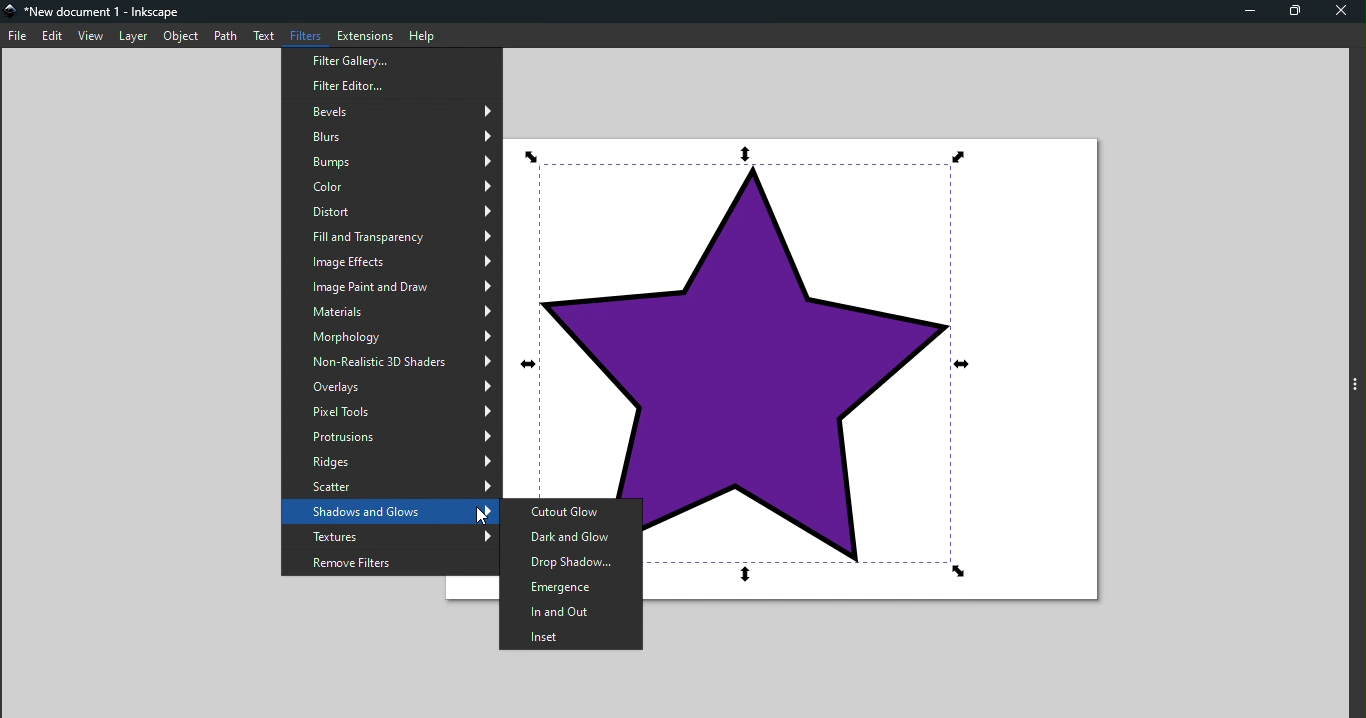 The height and width of the screenshot is (718, 1366). Describe the element at coordinates (391, 313) in the screenshot. I see `Materials` at that location.